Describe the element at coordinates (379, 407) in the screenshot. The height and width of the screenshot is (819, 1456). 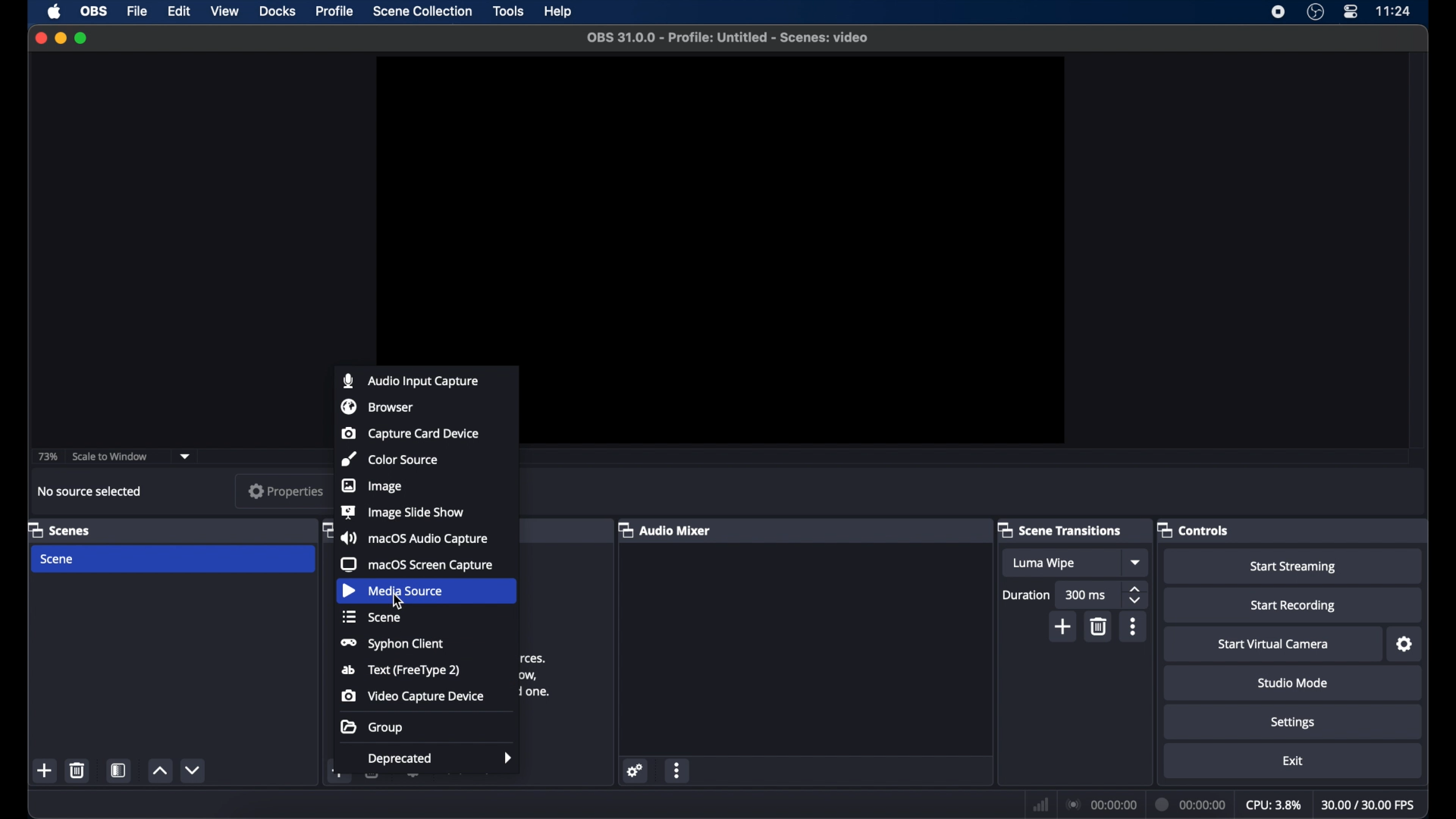
I see `browser` at that location.